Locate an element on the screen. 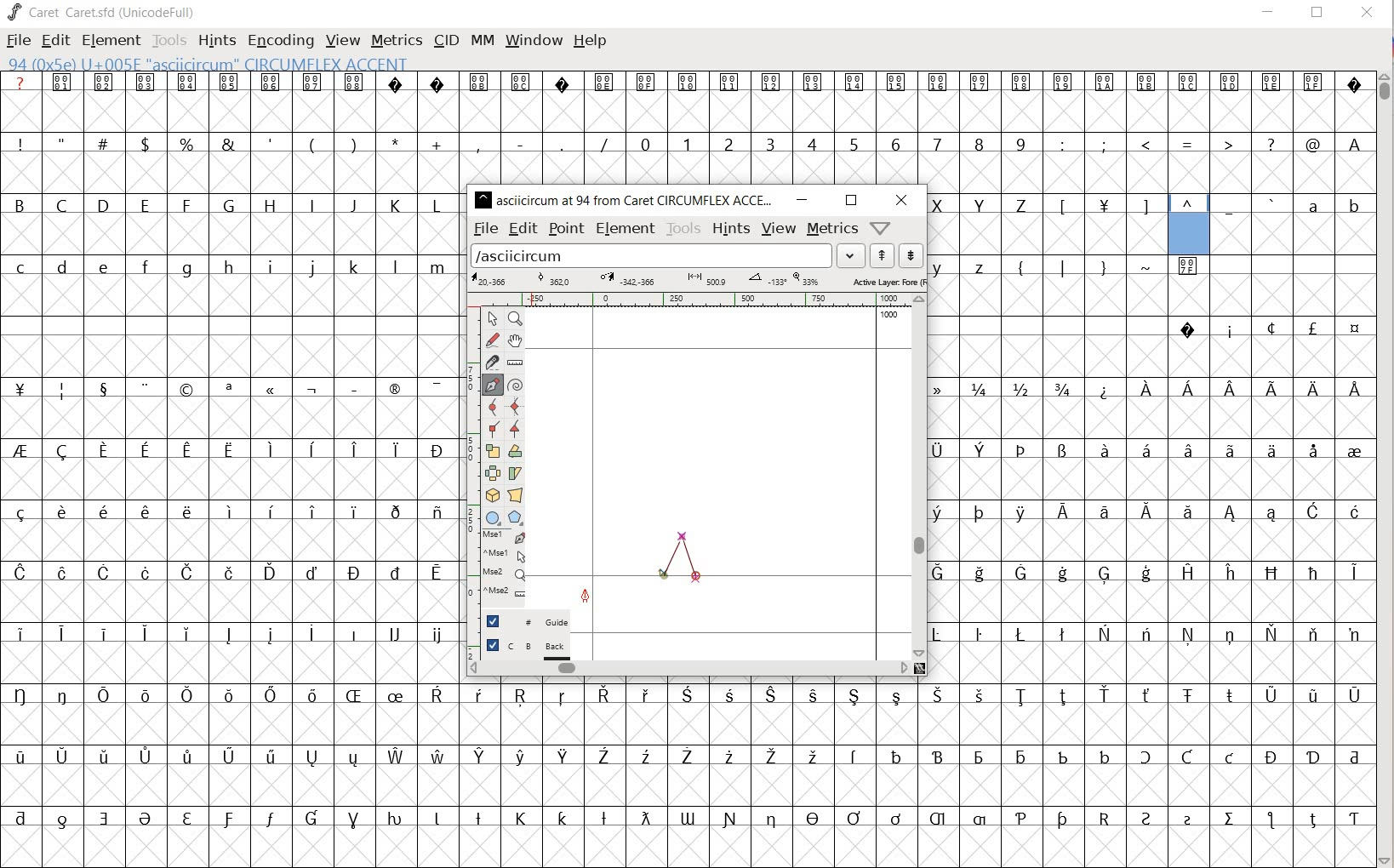 This screenshot has width=1394, height=868. edit is located at coordinates (523, 229).